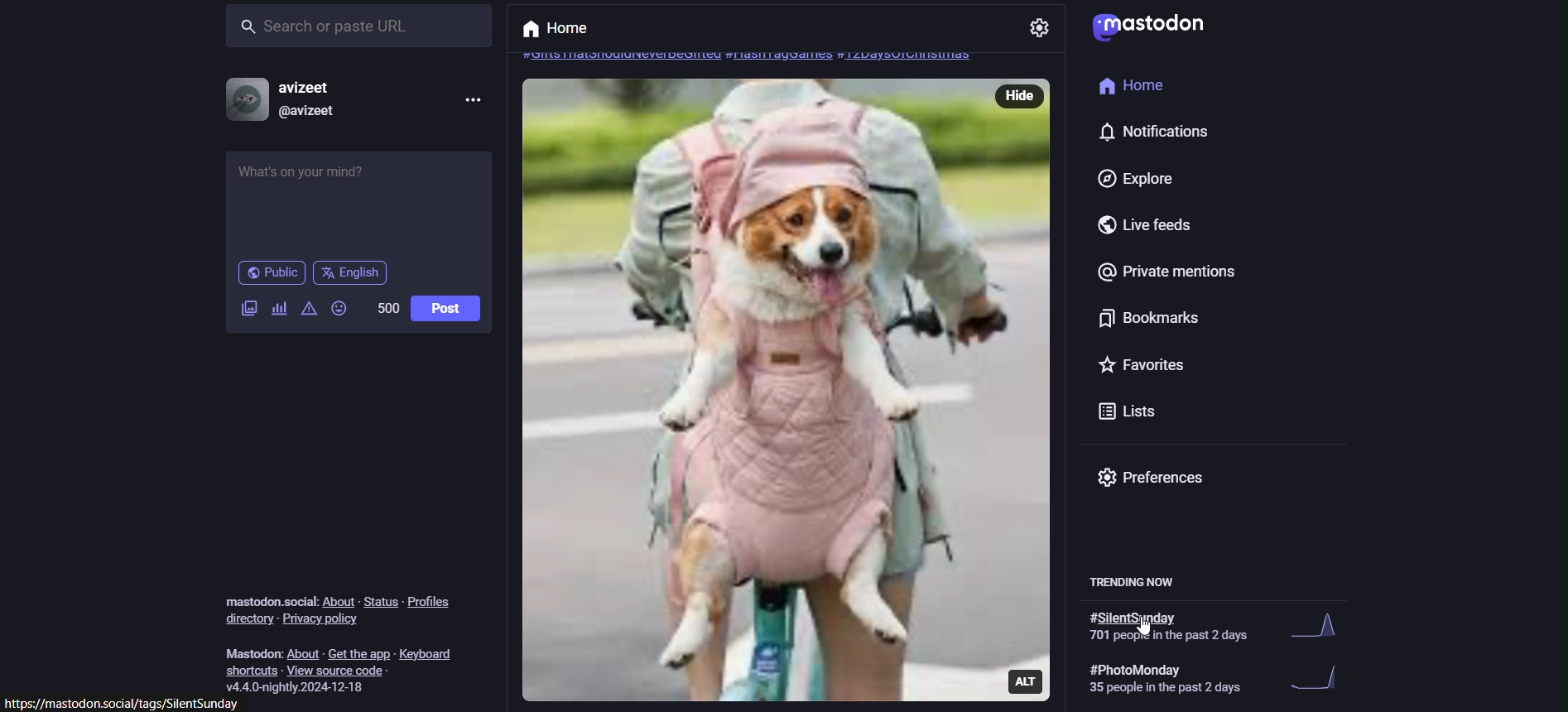 The height and width of the screenshot is (712, 1568). I want to click on add poll, so click(280, 307).